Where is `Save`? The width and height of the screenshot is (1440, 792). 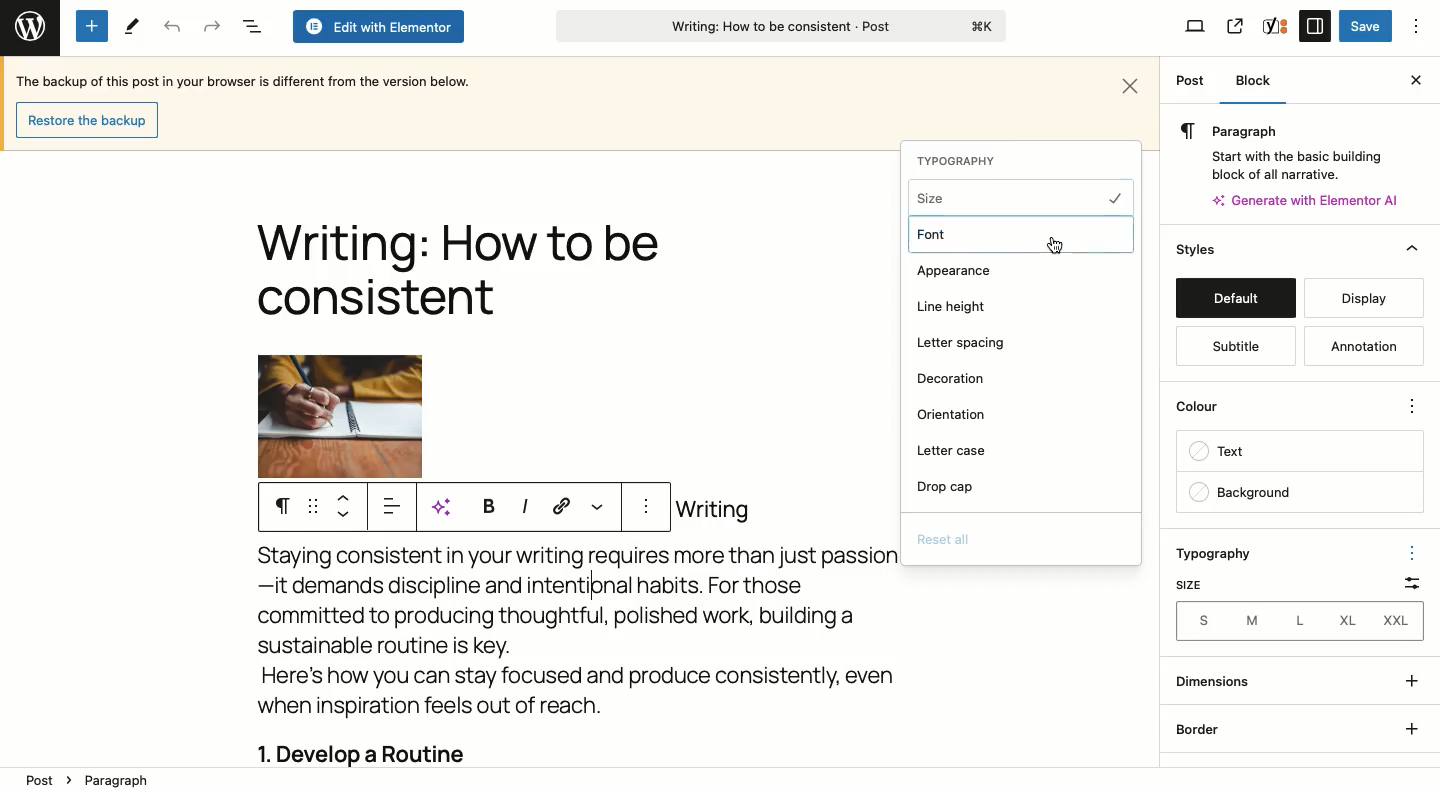
Save is located at coordinates (1365, 27).